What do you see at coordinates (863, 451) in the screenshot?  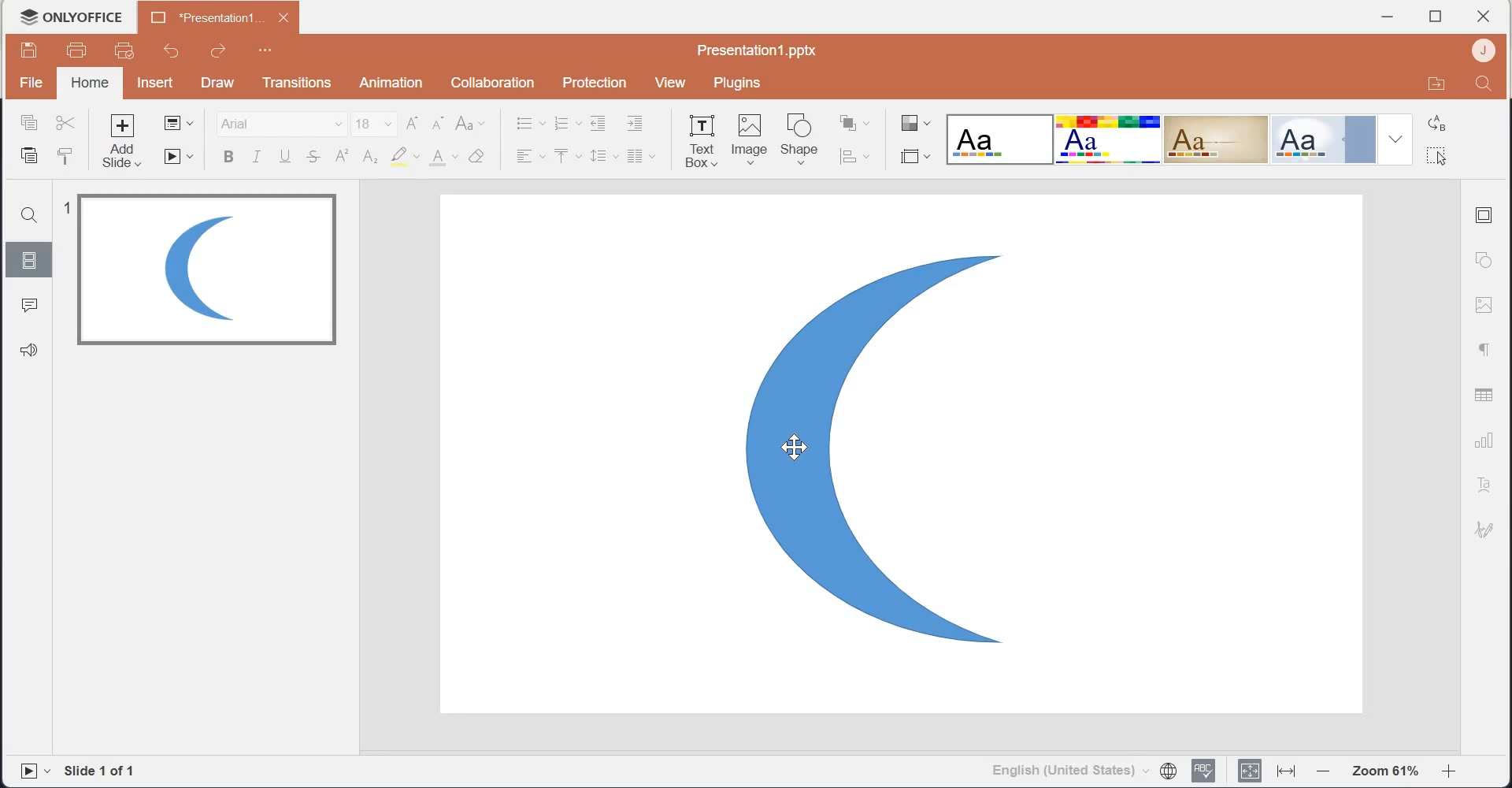 I see `Image preview` at bounding box center [863, 451].